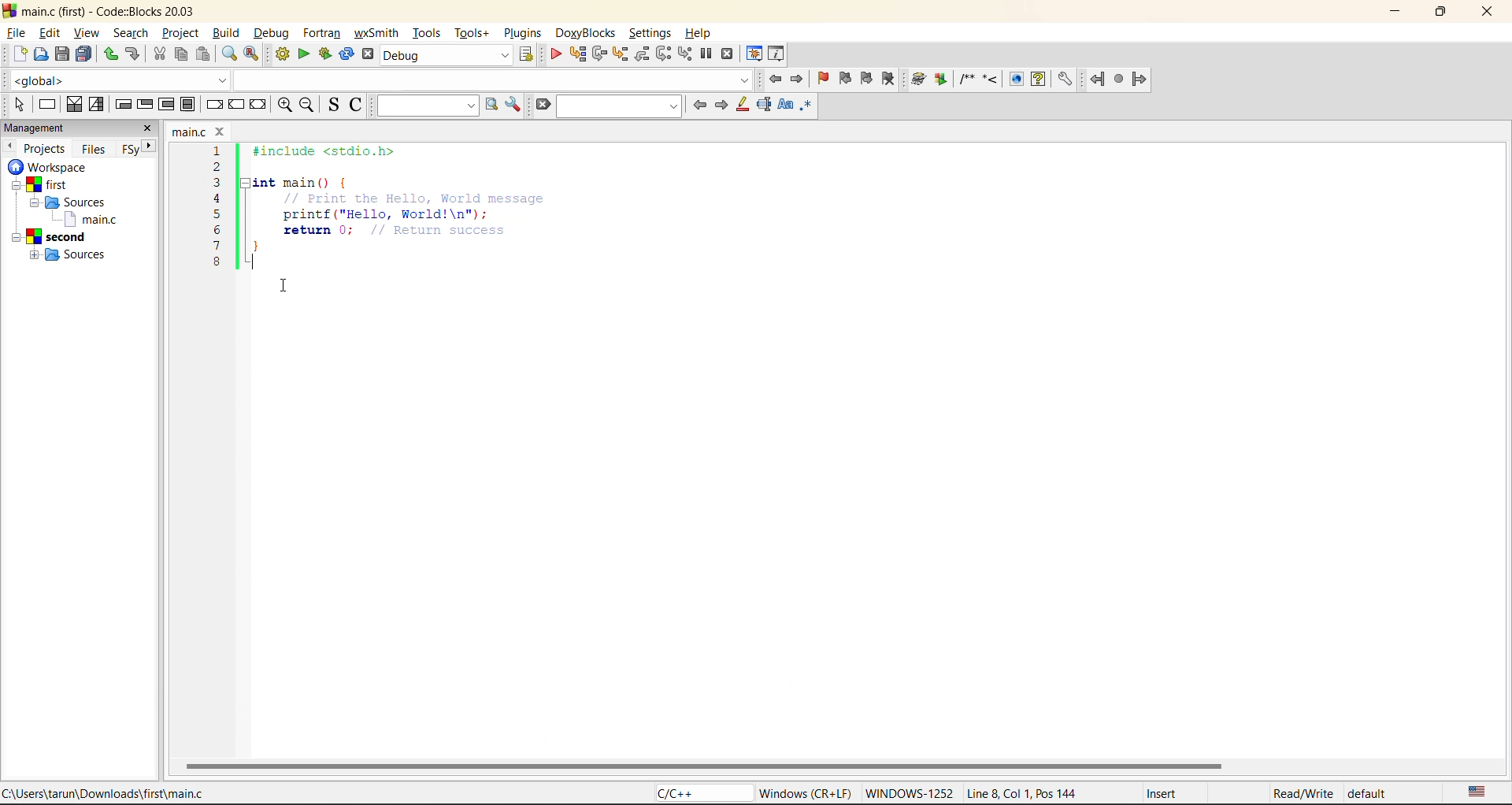 The height and width of the screenshot is (805, 1512). What do you see at coordinates (283, 287) in the screenshot?
I see `cursor` at bounding box center [283, 287].